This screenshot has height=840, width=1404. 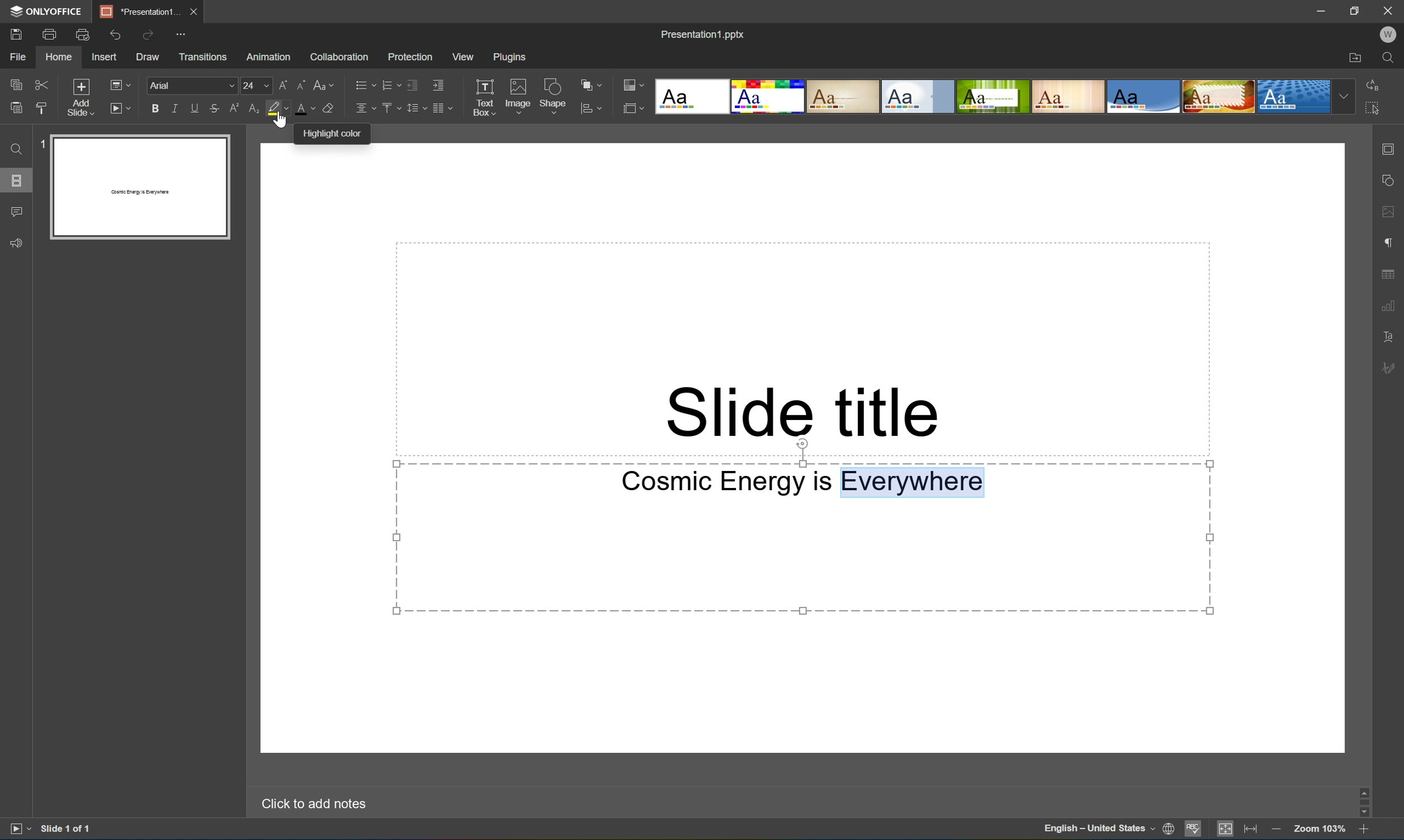 I want to click on Slides, so click(x=18, y=178).